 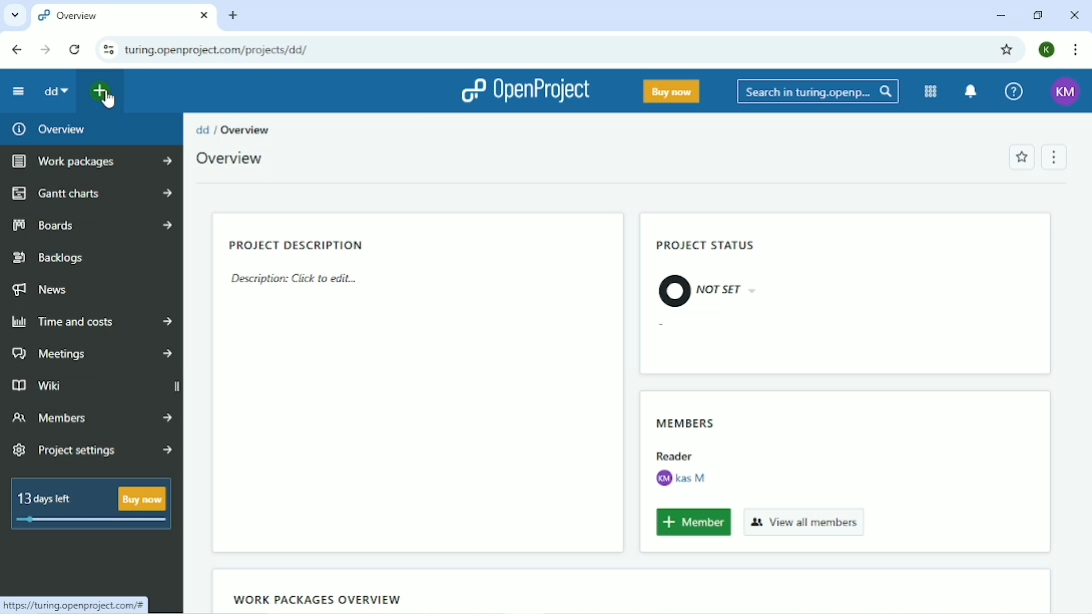 I want to click on Meetings, so click(x=92, y=354).